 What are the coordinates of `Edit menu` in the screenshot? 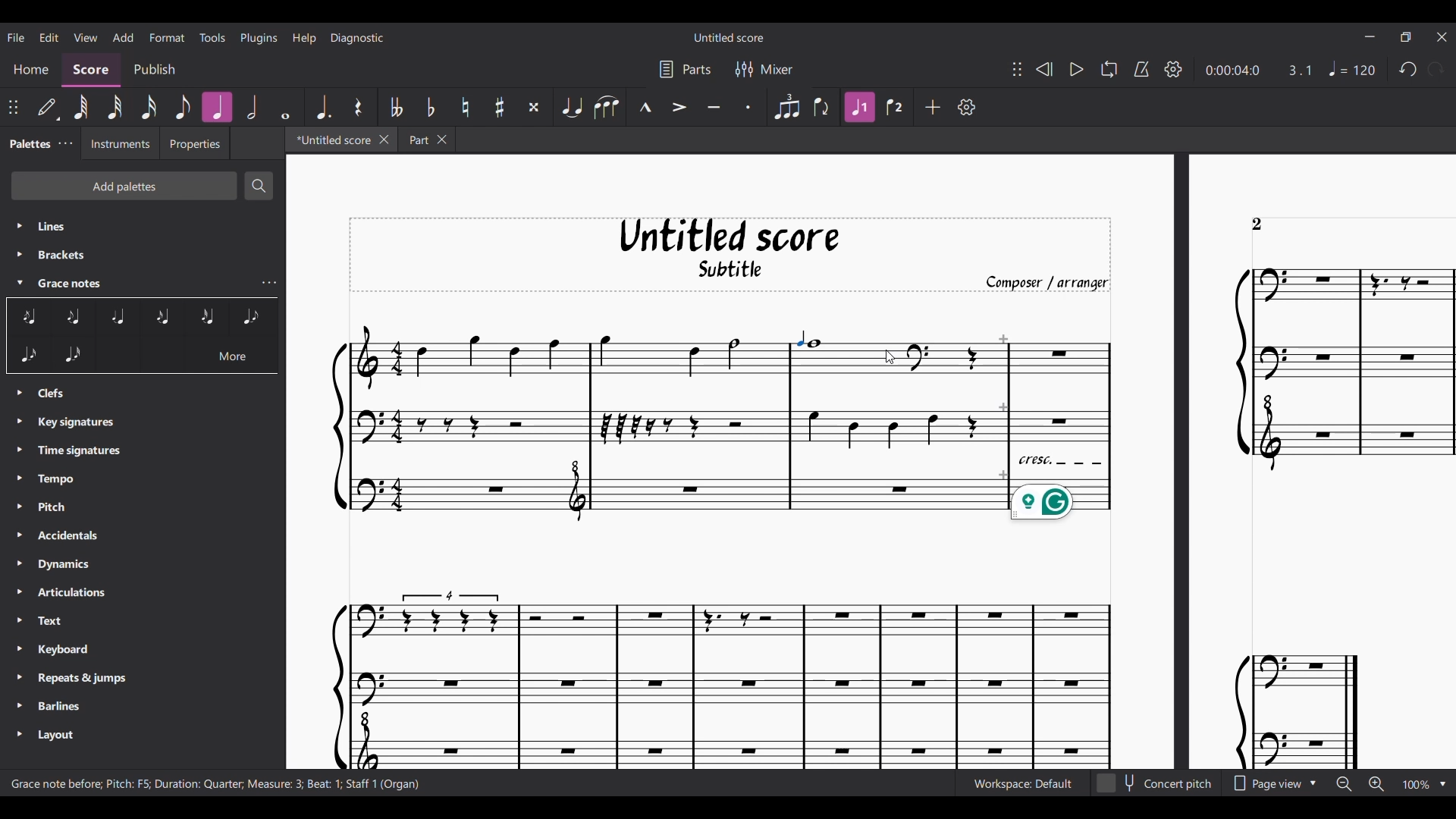 It's located at (49, 36).